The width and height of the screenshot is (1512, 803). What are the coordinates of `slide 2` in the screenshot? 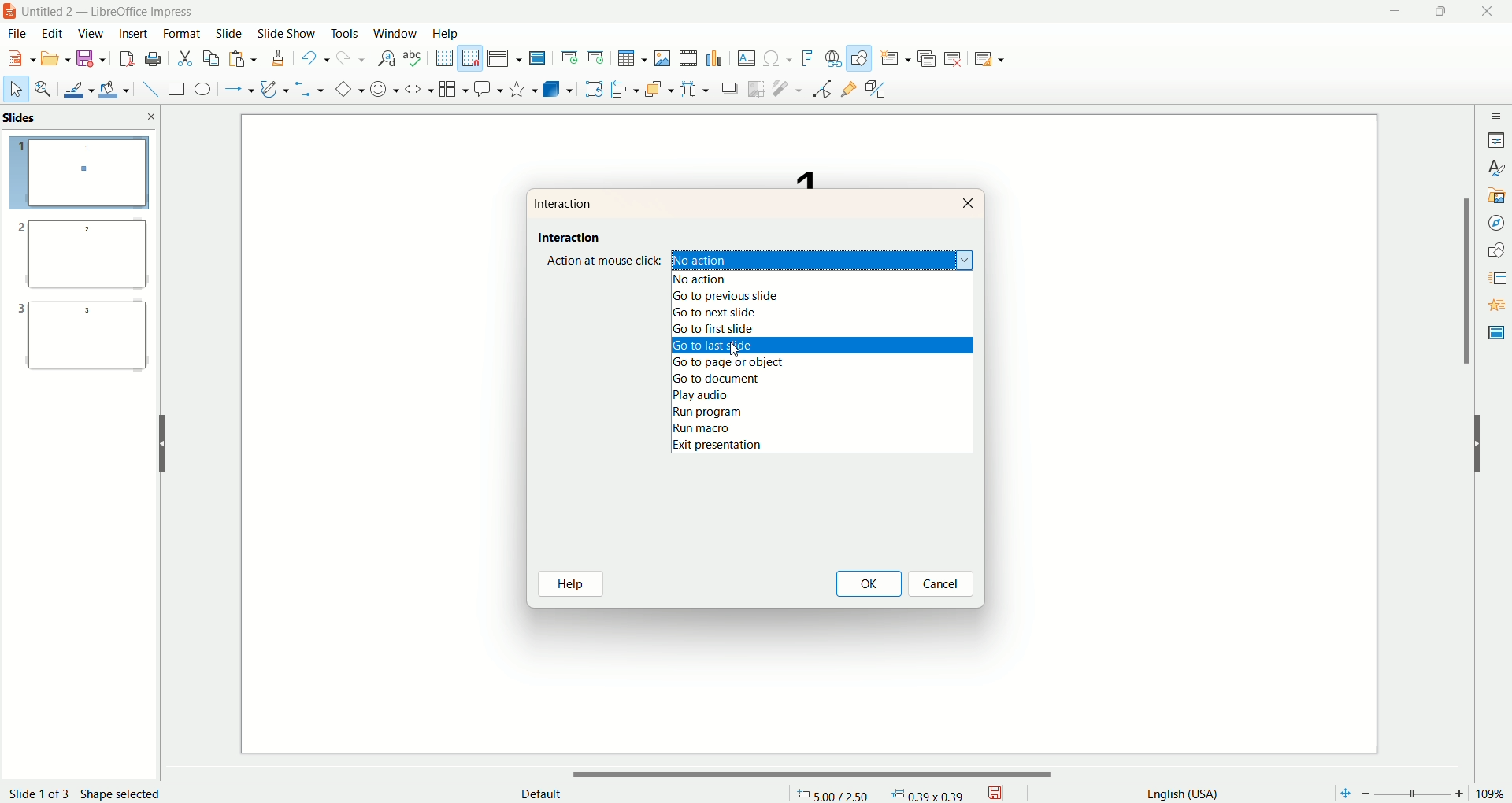 It's located at (79, 258).